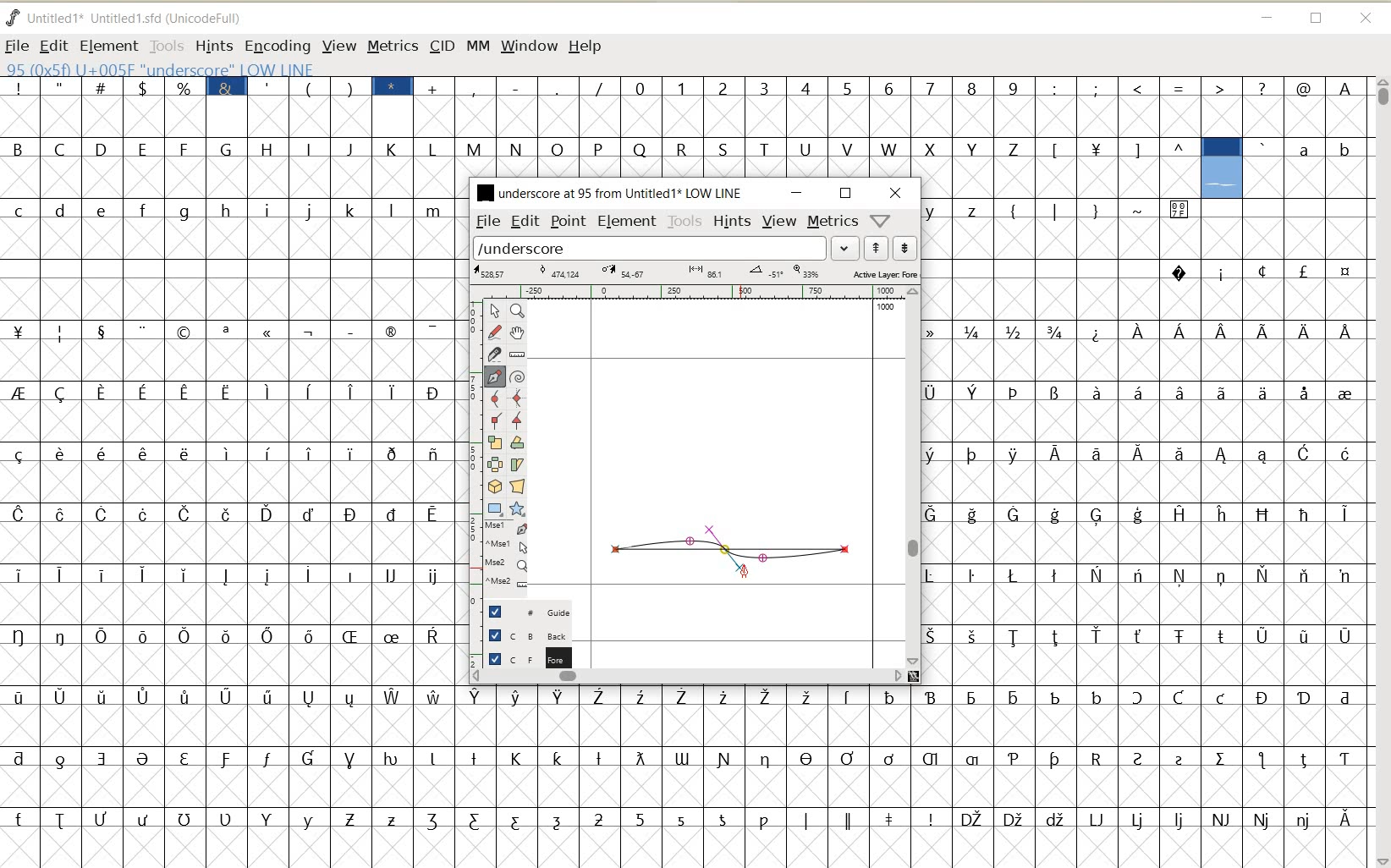  What do you see at coordinates (17, 46) in the screenshot?
I see `FILE` at bounding box center [17, 46].